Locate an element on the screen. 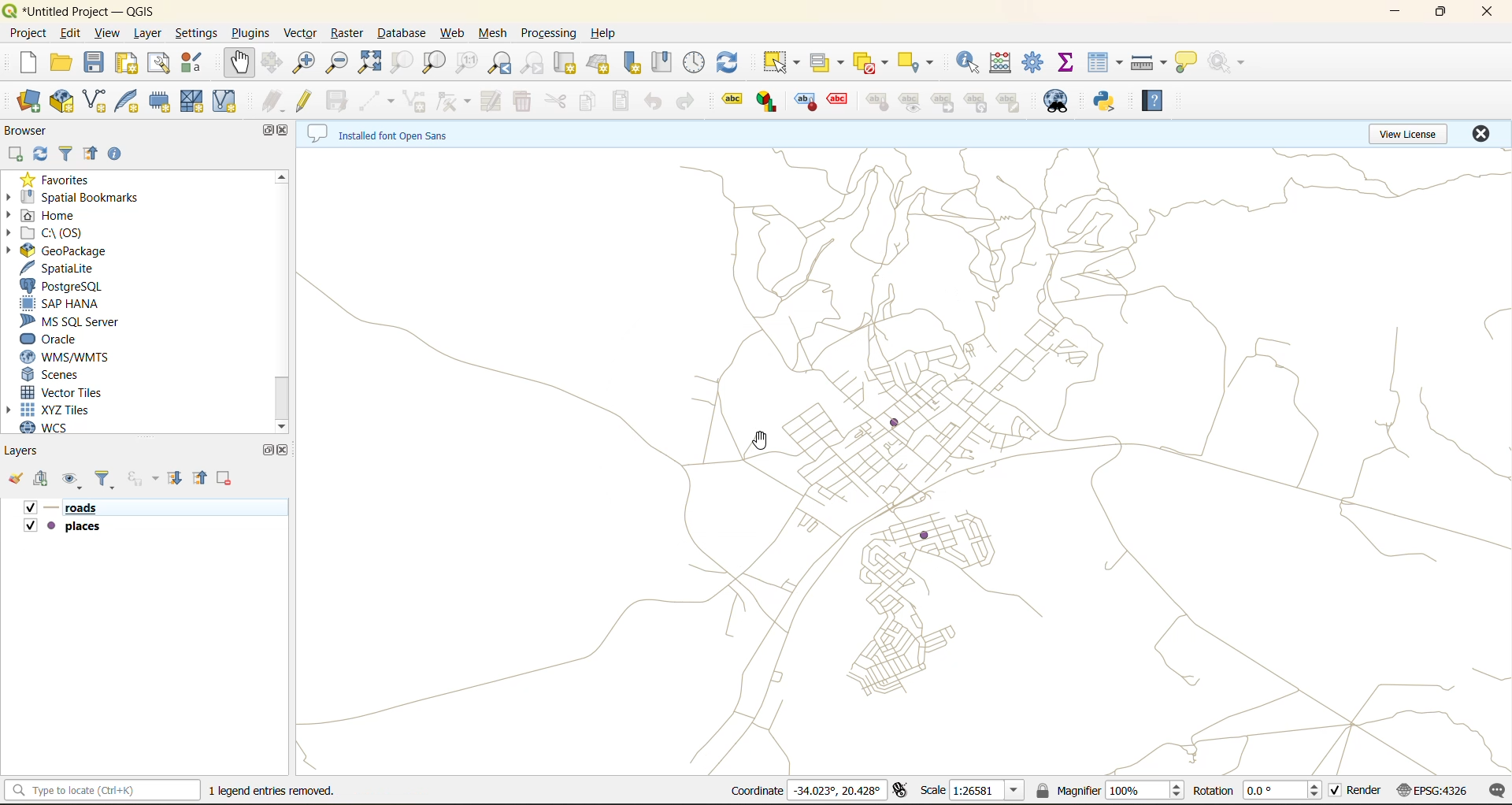 This screenshot has width=1512, height=805. save is located at coordinates (98, 63).